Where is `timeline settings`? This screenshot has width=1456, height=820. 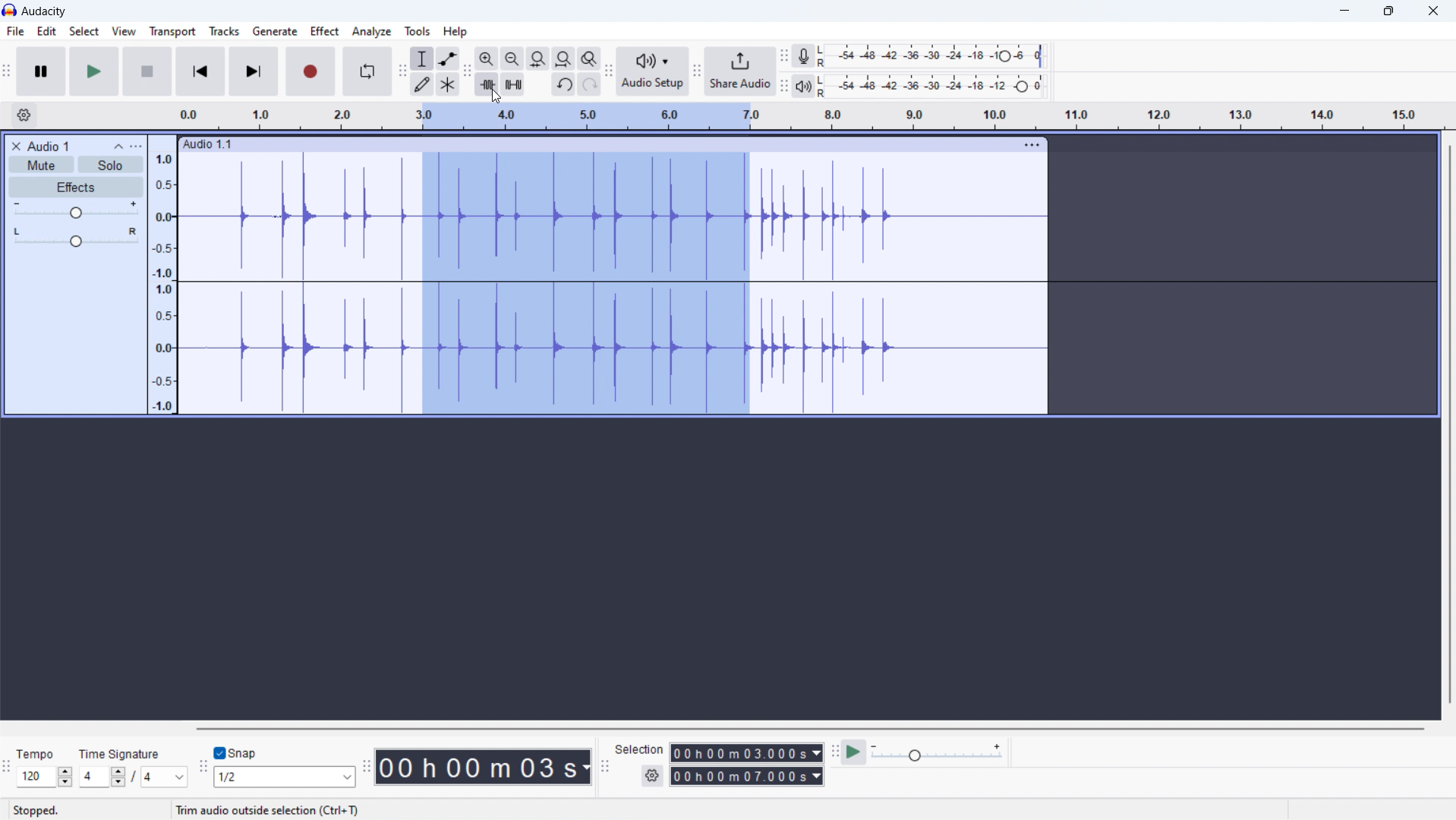
timeline settings is located at coordinates (24, 115).